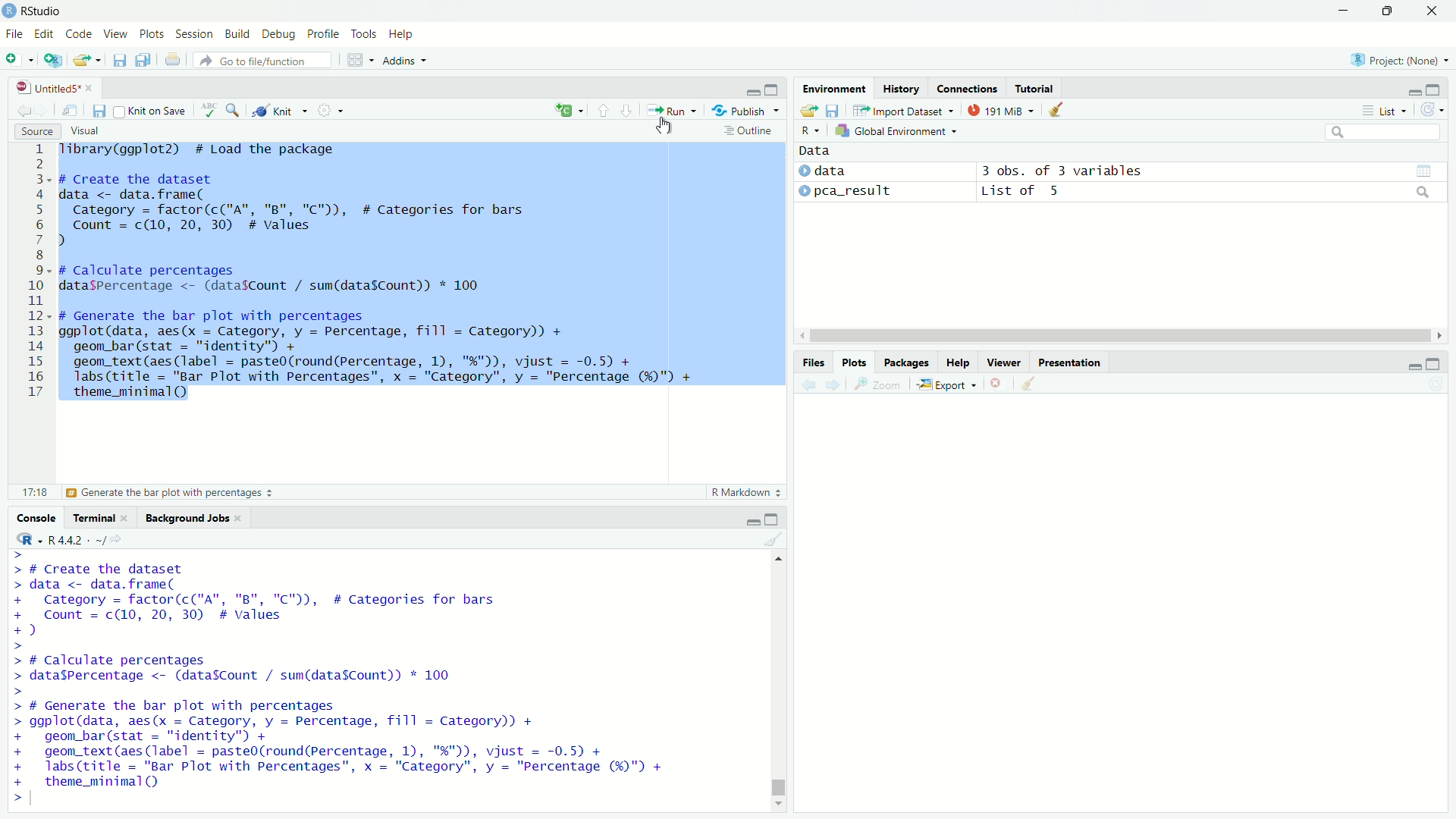 This screenshot has width=1456, height=819. I want to click on refresh, so click(1430, 108).